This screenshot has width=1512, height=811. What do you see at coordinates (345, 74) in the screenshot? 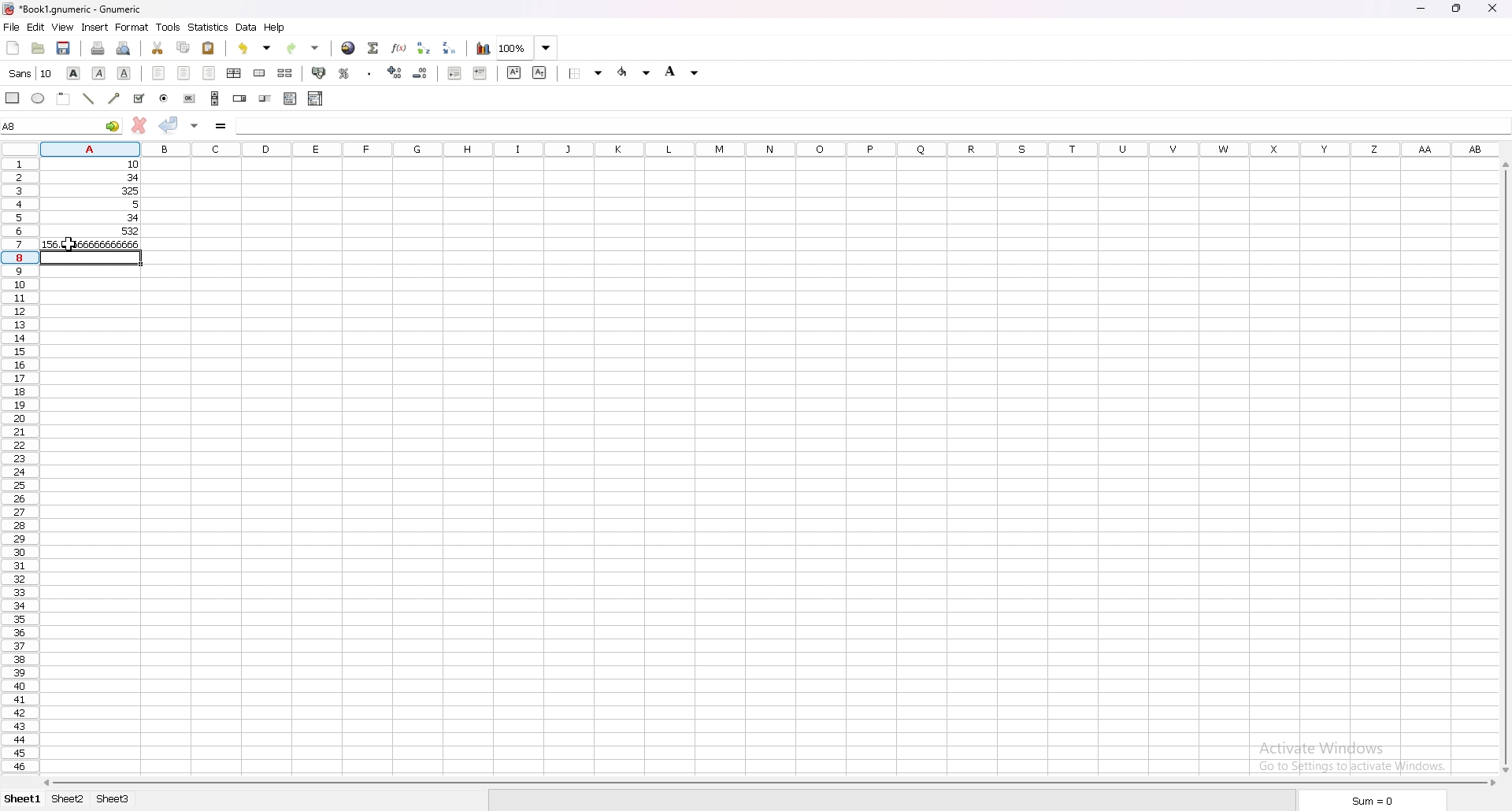
I see `percentage` at bounding box center [345, 74].